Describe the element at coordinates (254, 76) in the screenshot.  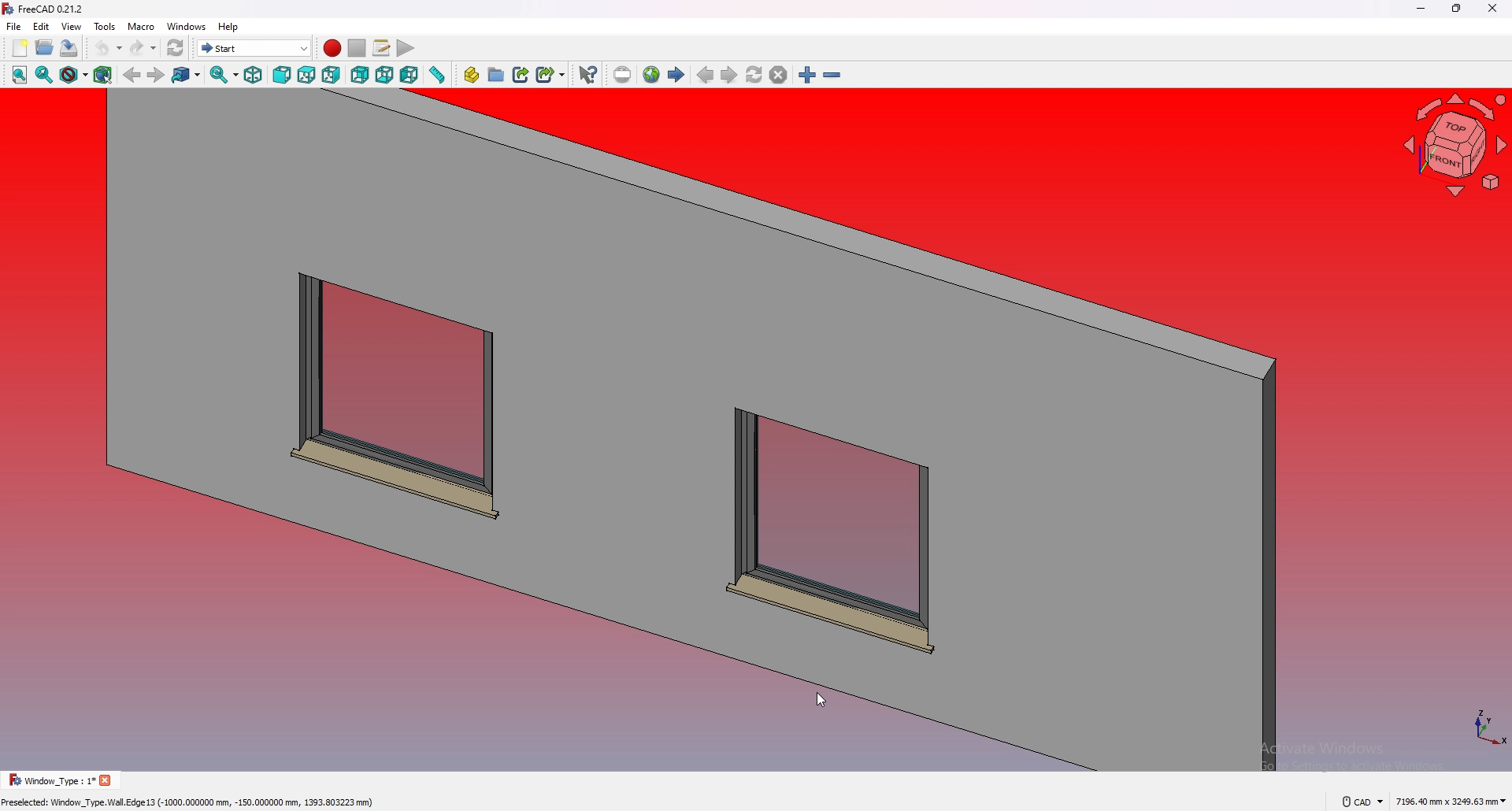
I see `isometric` at that location.